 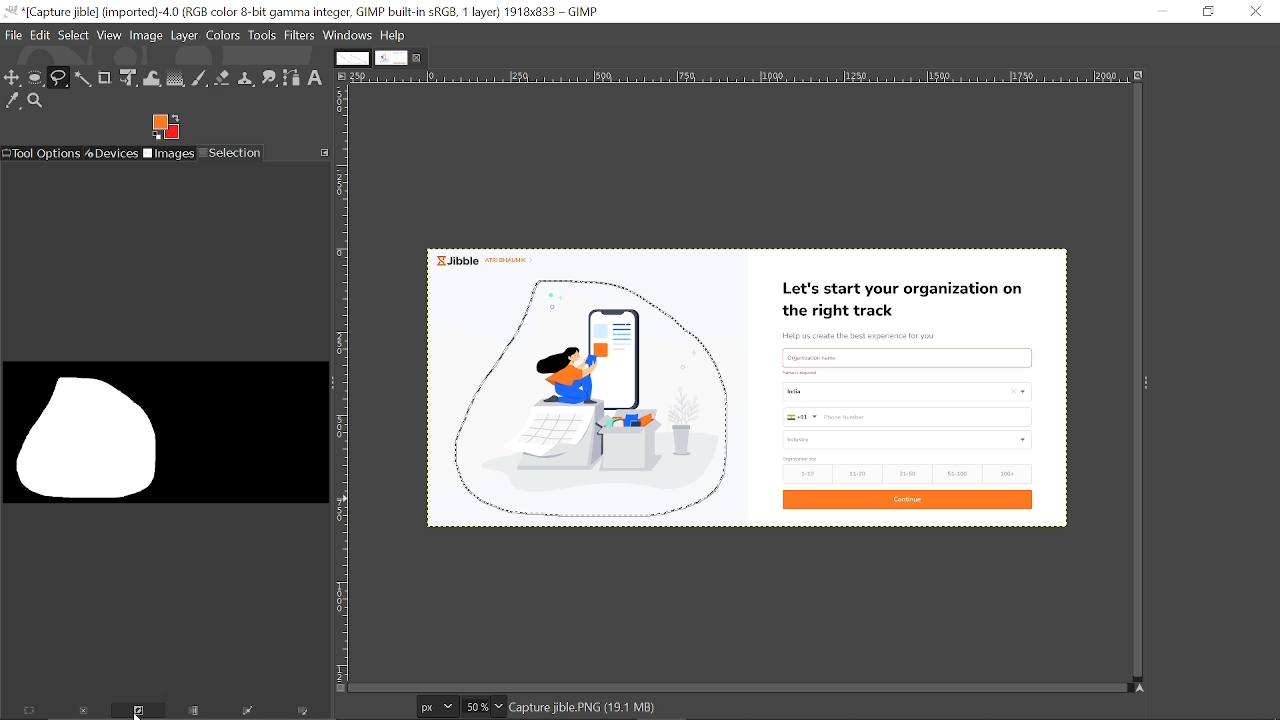 I want to click on Current tab, so click(x=391, y=59).